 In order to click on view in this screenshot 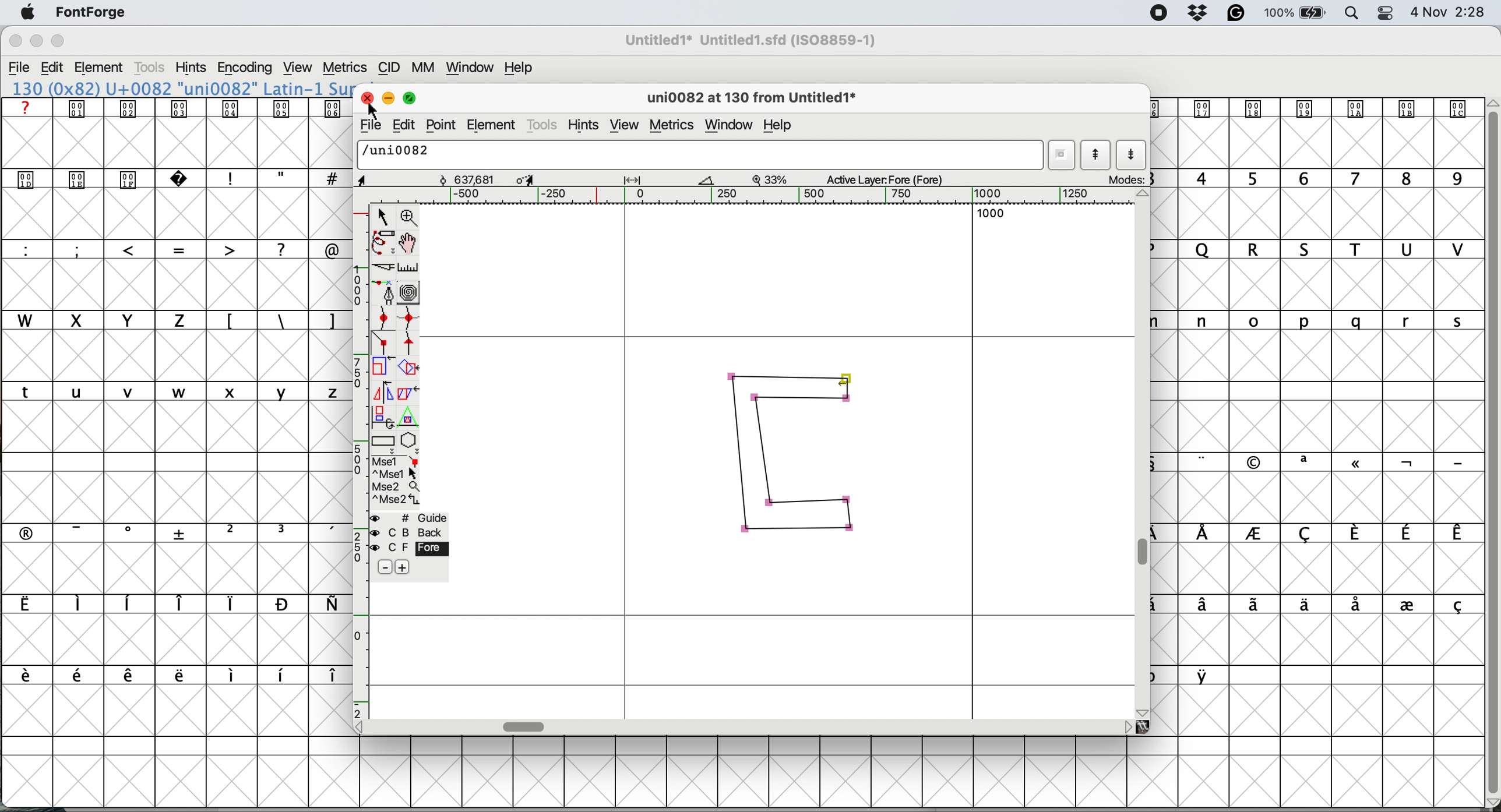, I will do `click(300, 68)`.